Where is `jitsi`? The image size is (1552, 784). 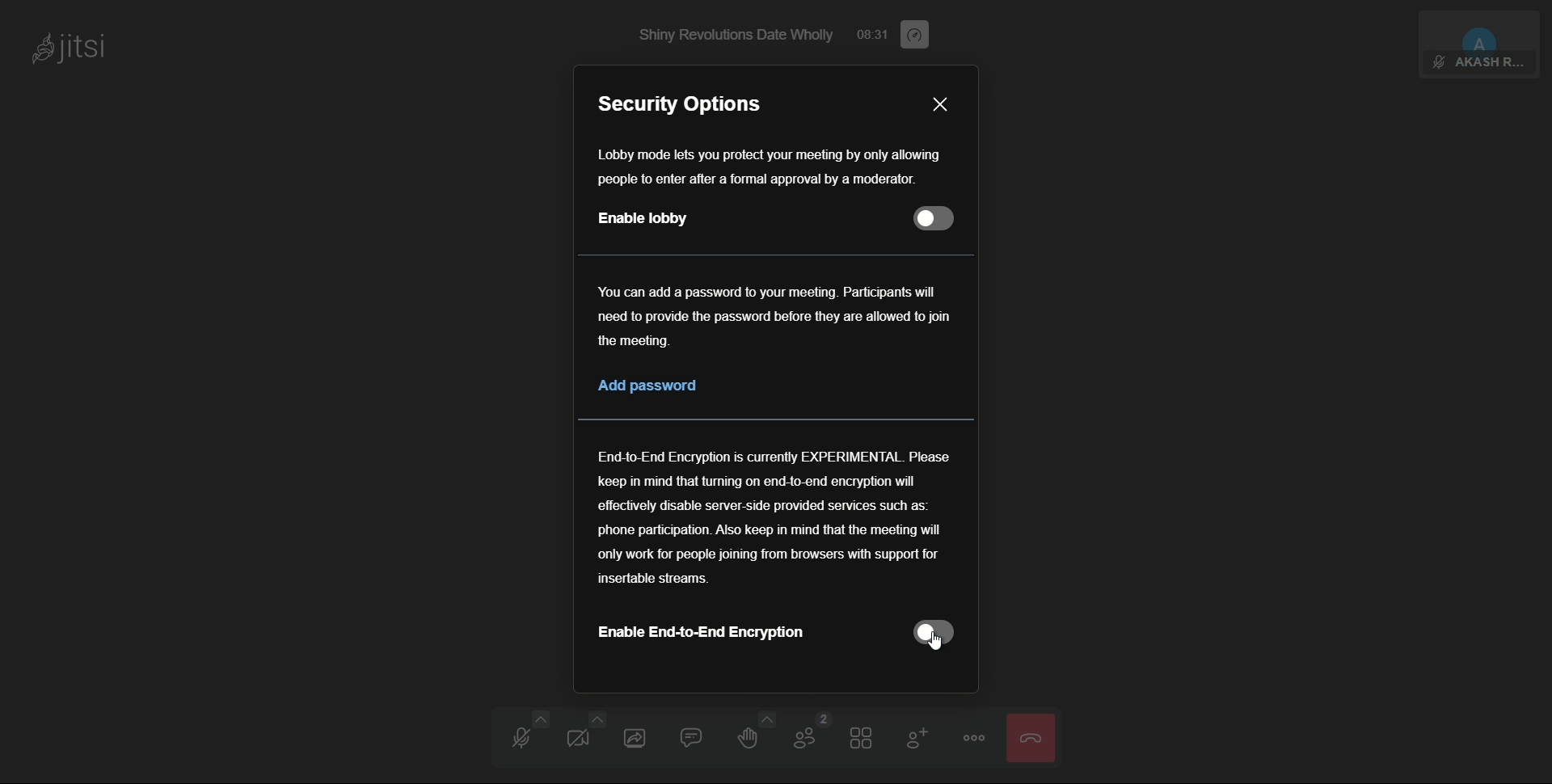
jitsi is located at coordinates (69, 51).